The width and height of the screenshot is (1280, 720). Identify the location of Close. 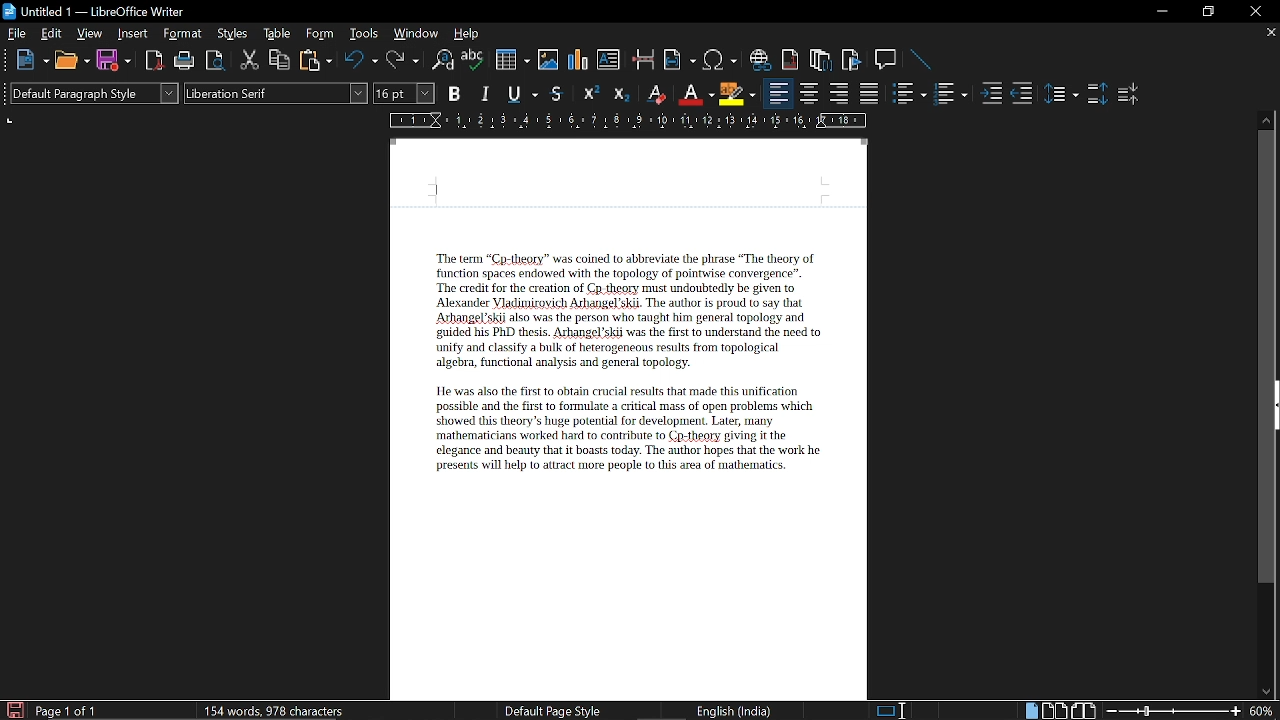
(1255, 11).